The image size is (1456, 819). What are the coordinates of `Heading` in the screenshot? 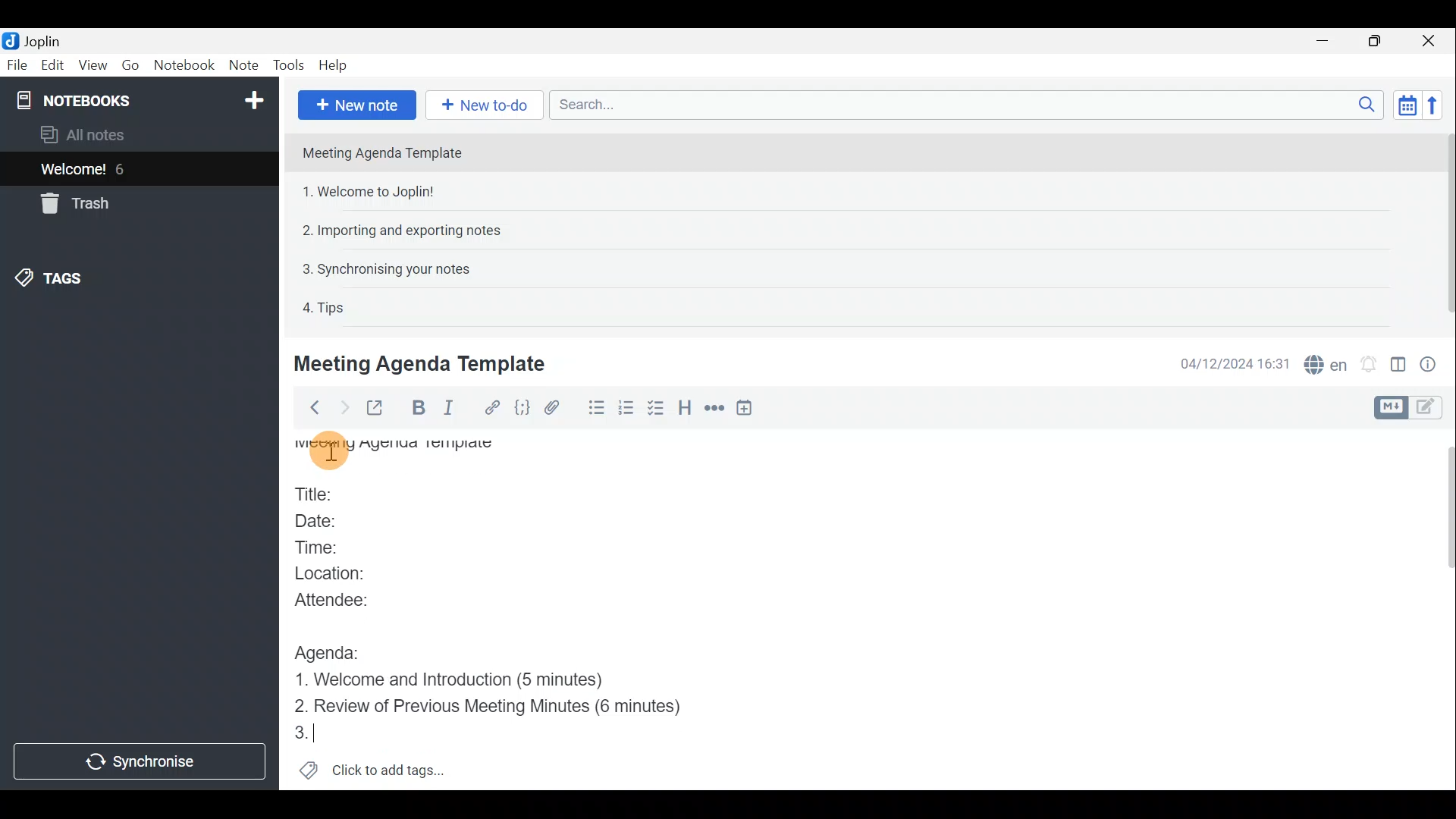 It's located at (683, 412).